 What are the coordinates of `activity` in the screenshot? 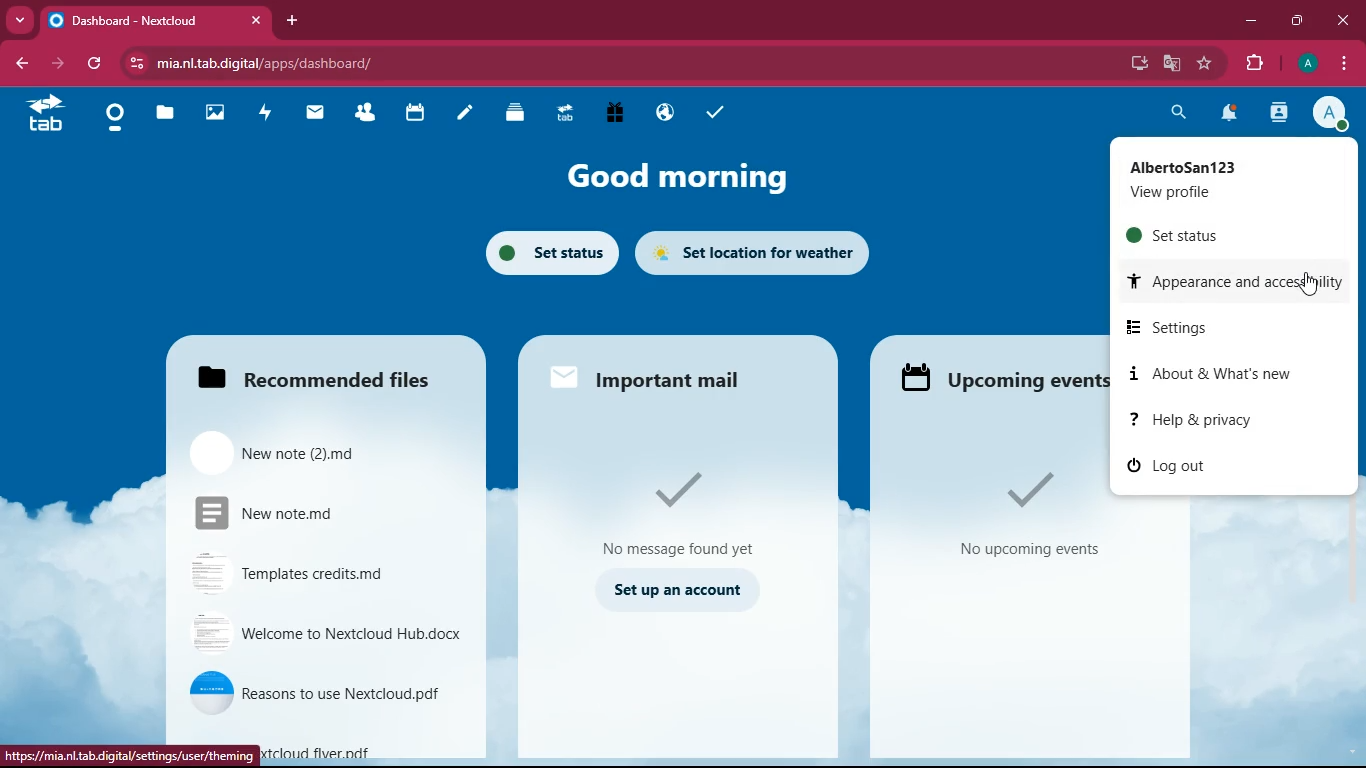 It's located at (1280, 115).